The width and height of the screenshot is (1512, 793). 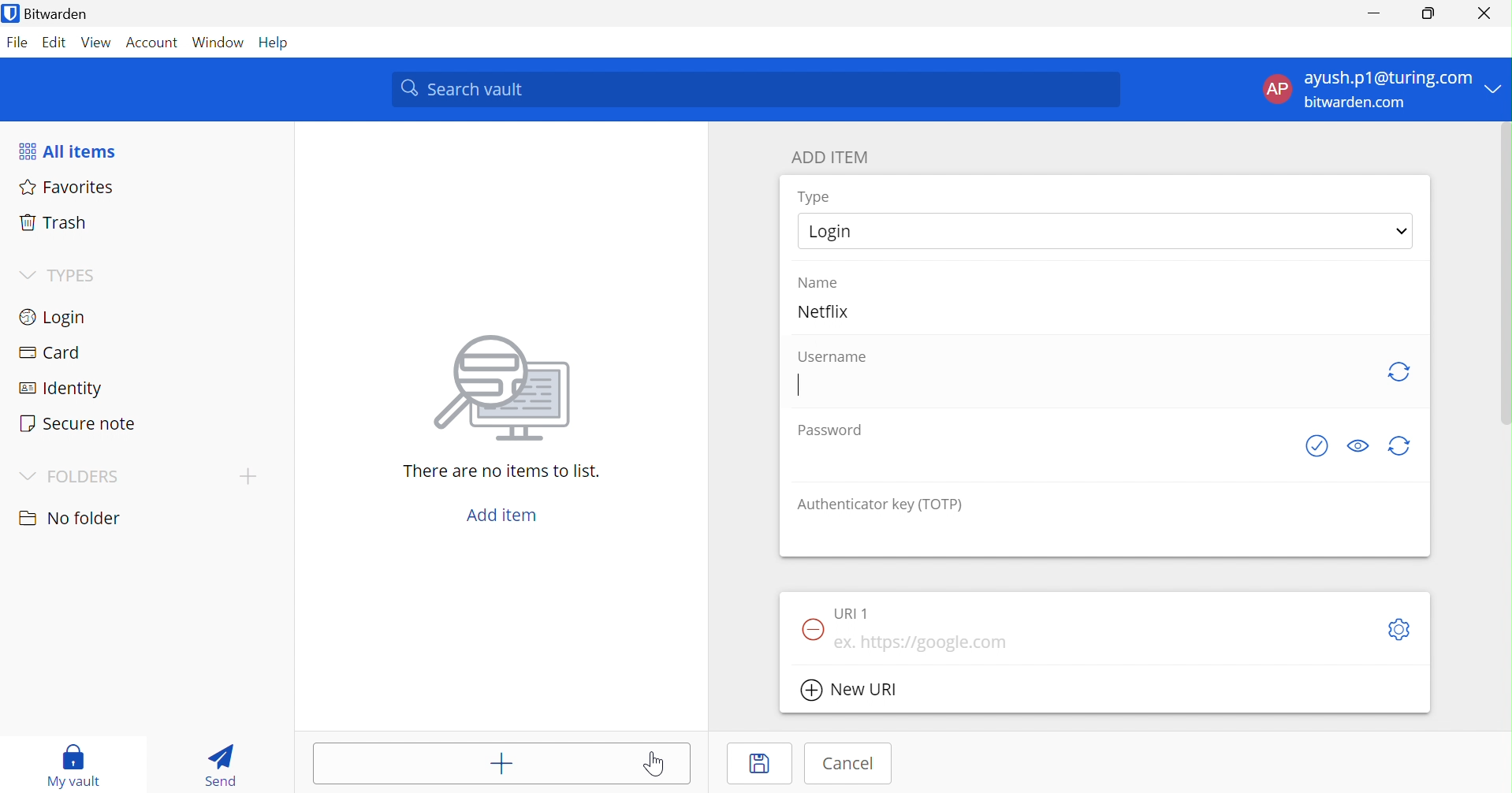 What do you see at coordinates (1506, 276) in the screenshot?
I see `scrollbar` at bounding box center [1506, 276].